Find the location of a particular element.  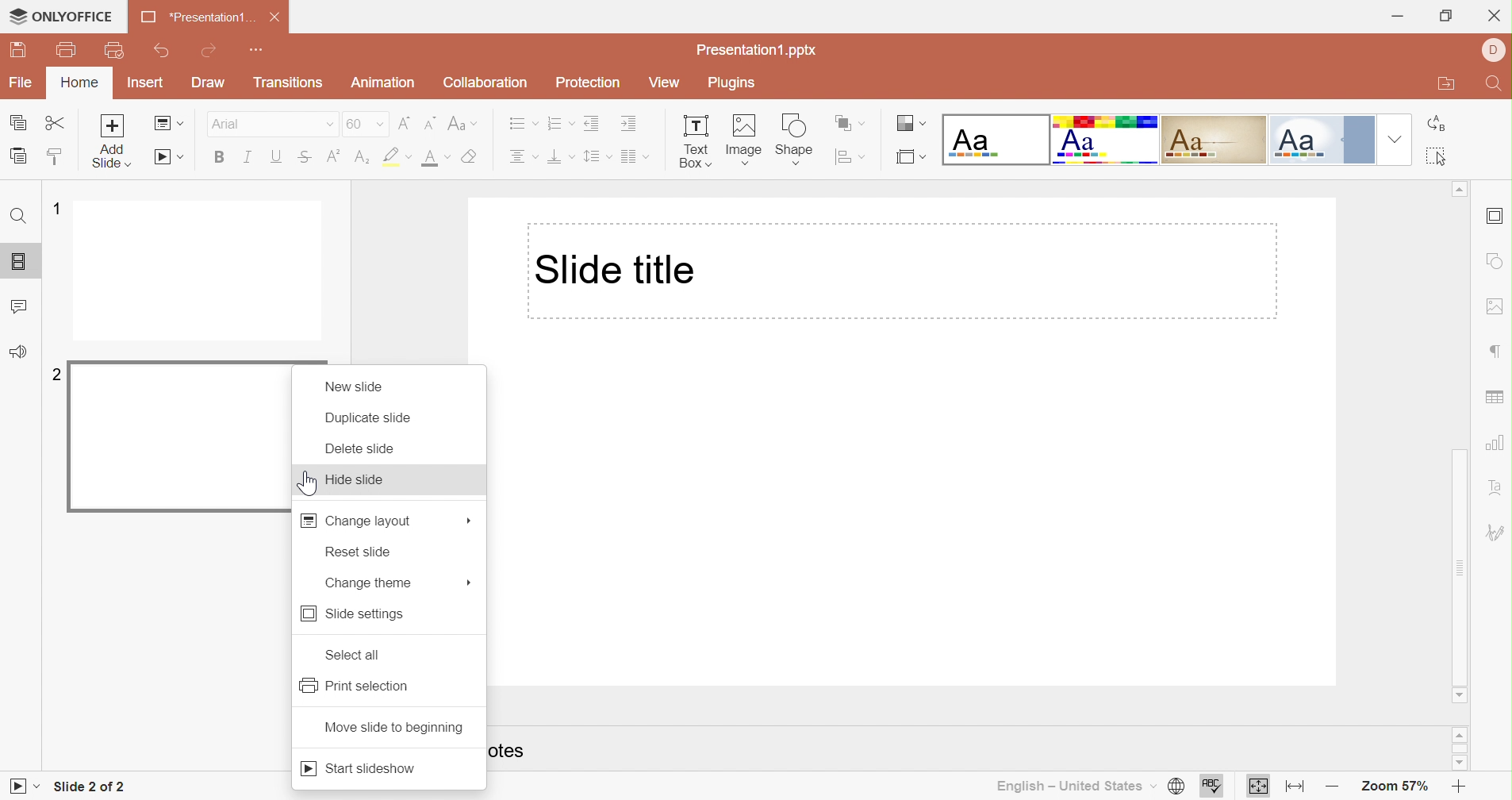

Change layout is located at coordinates (359, 521).